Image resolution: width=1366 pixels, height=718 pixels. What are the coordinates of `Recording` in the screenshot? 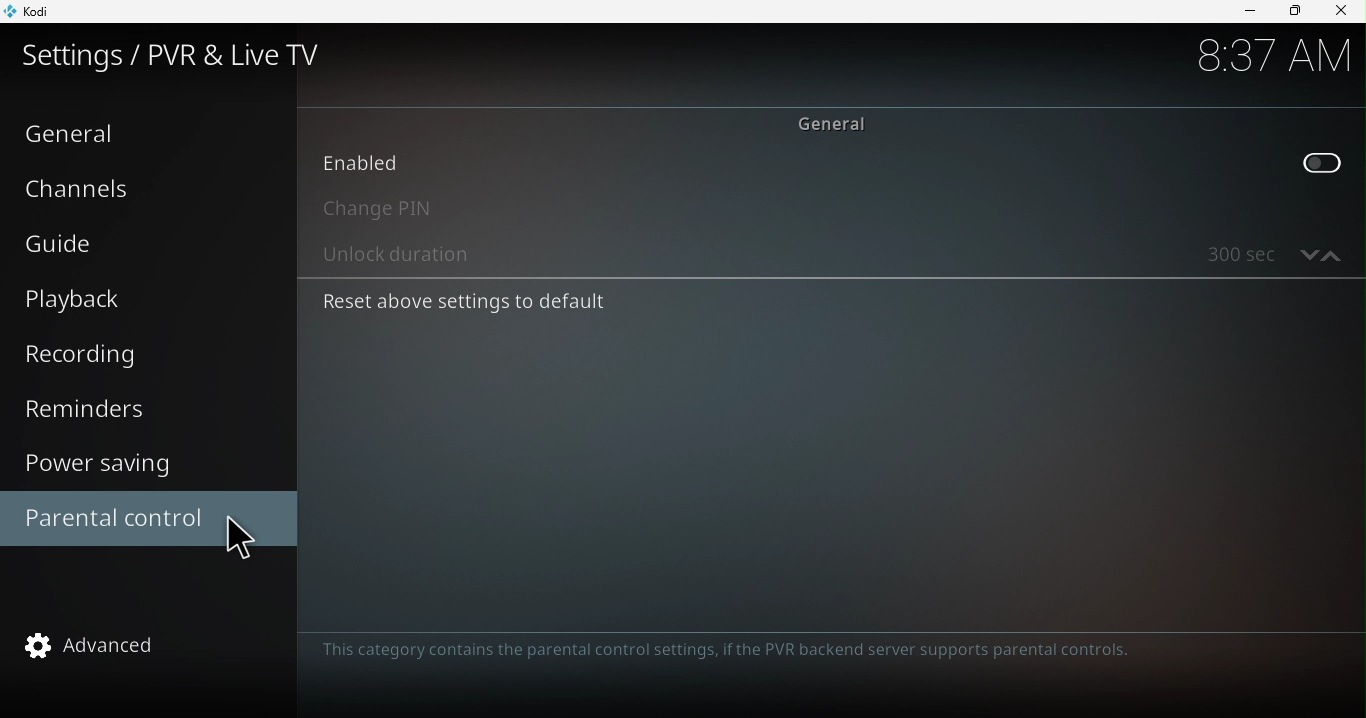 It's located at (92, 352).